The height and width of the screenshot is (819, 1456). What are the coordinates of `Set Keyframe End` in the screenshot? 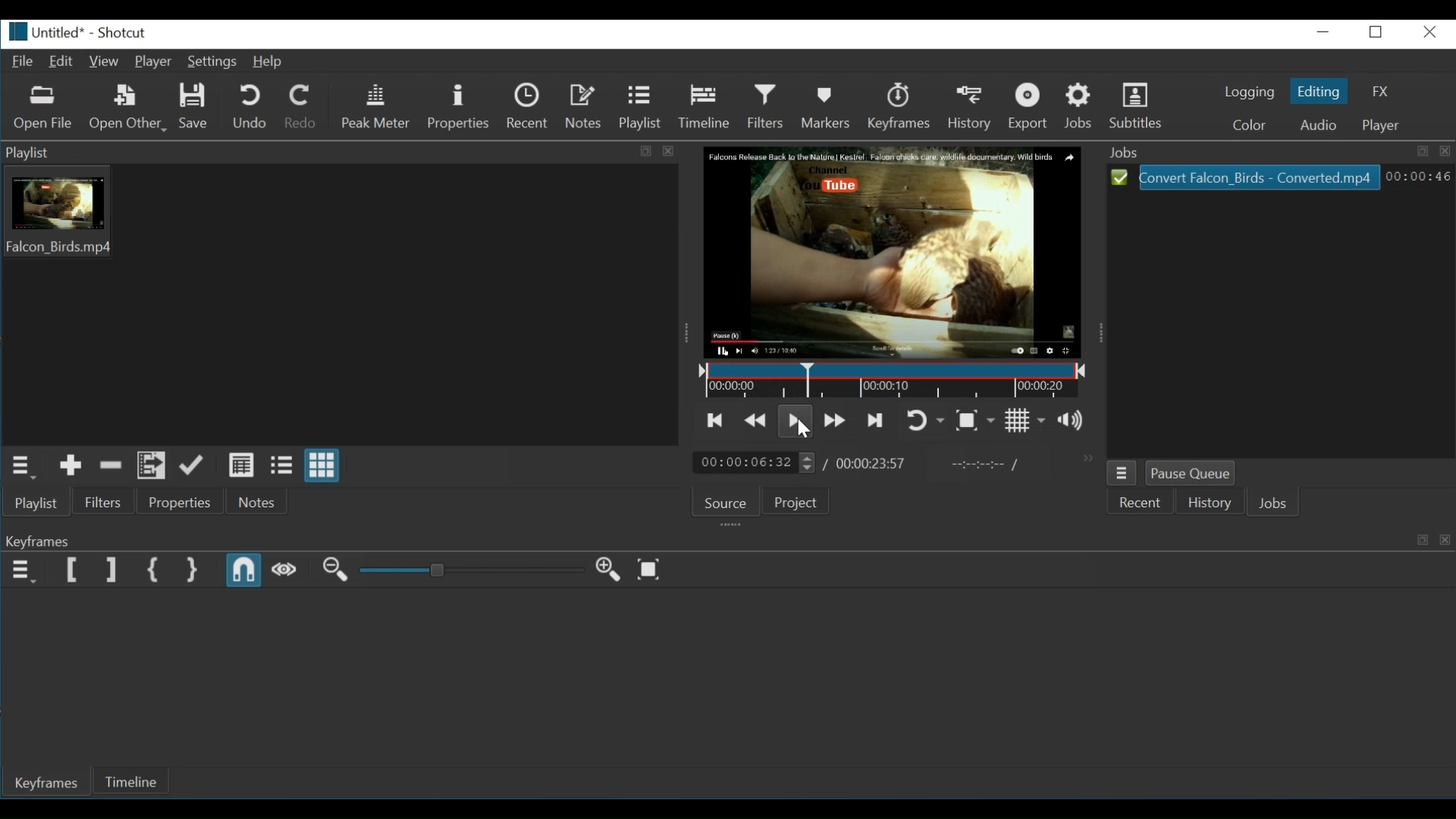 It's located at (111, 570).